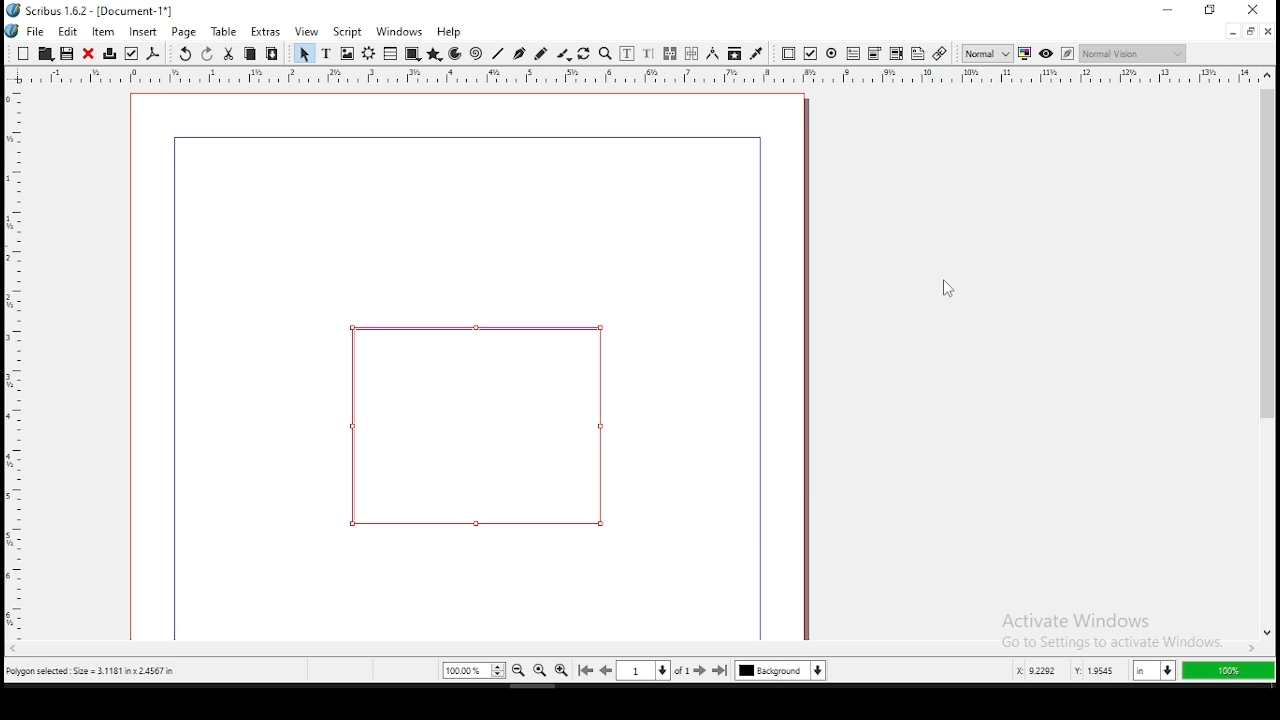  What do you see at coordinates (476, 54) in the screenshot?
I see `spiral` at bounding box center [476, 54].